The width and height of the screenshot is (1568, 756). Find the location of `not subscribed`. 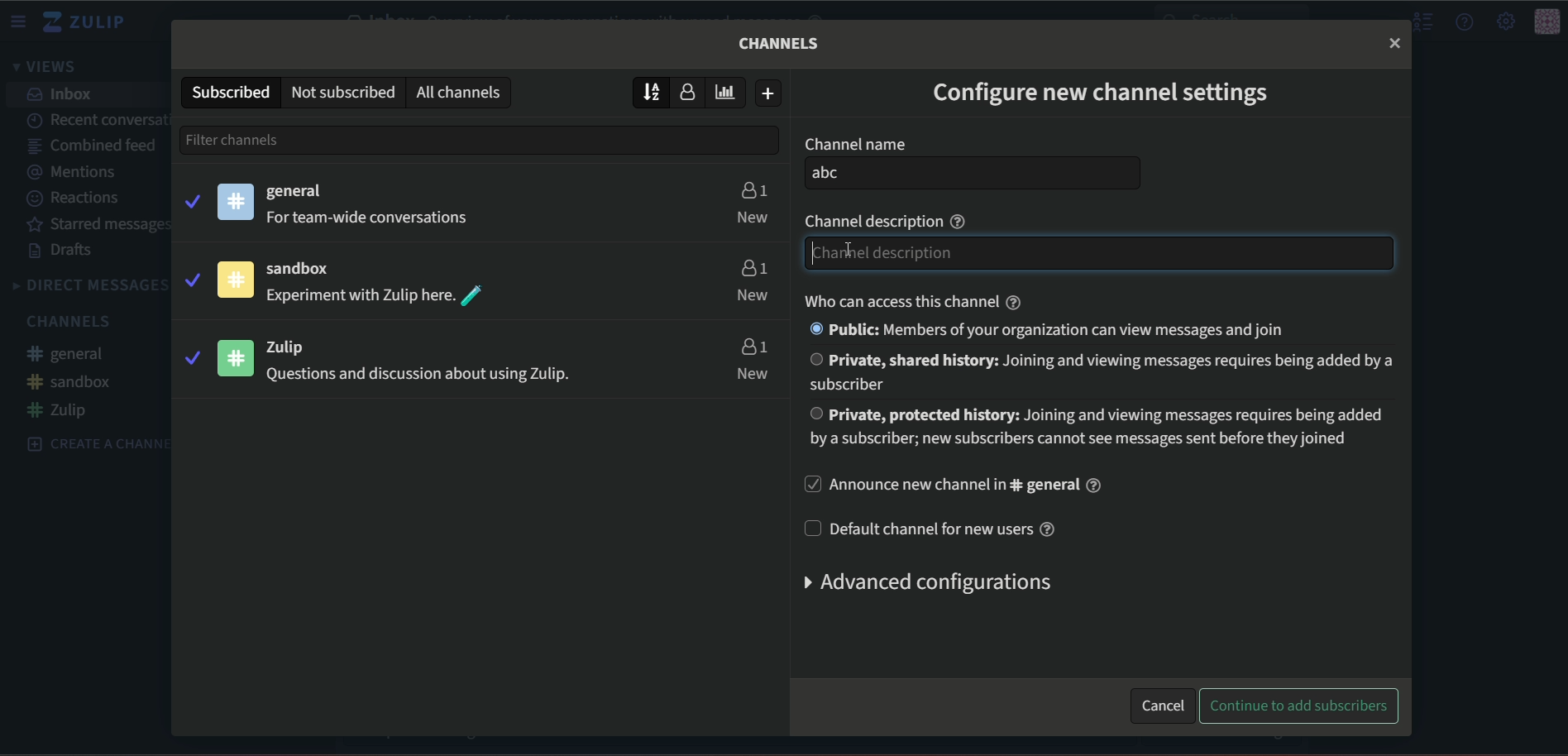

not subscribed is located at coordinates (342, 91).